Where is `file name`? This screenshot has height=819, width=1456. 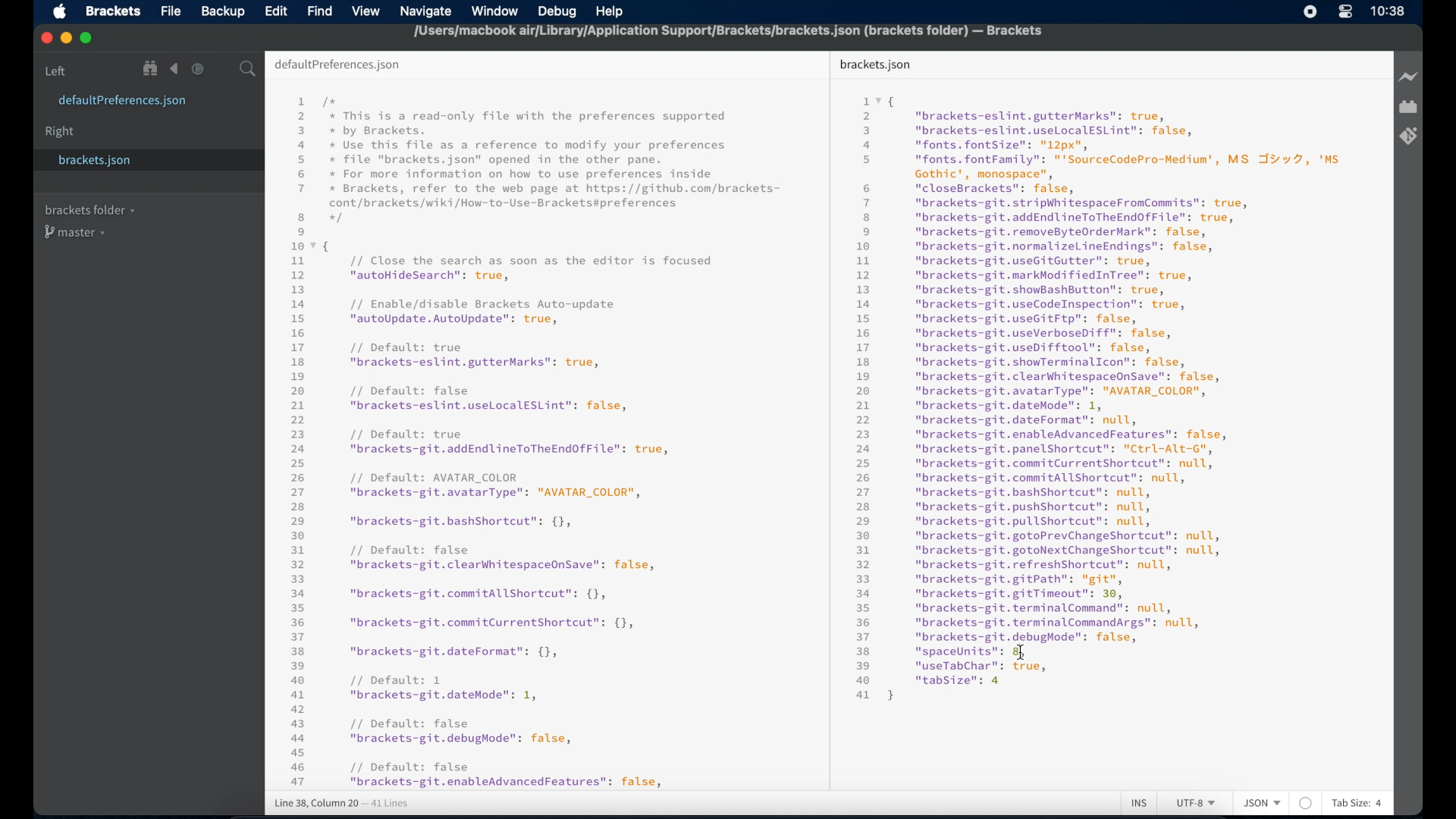 file name is located at coordinates (730, 33).